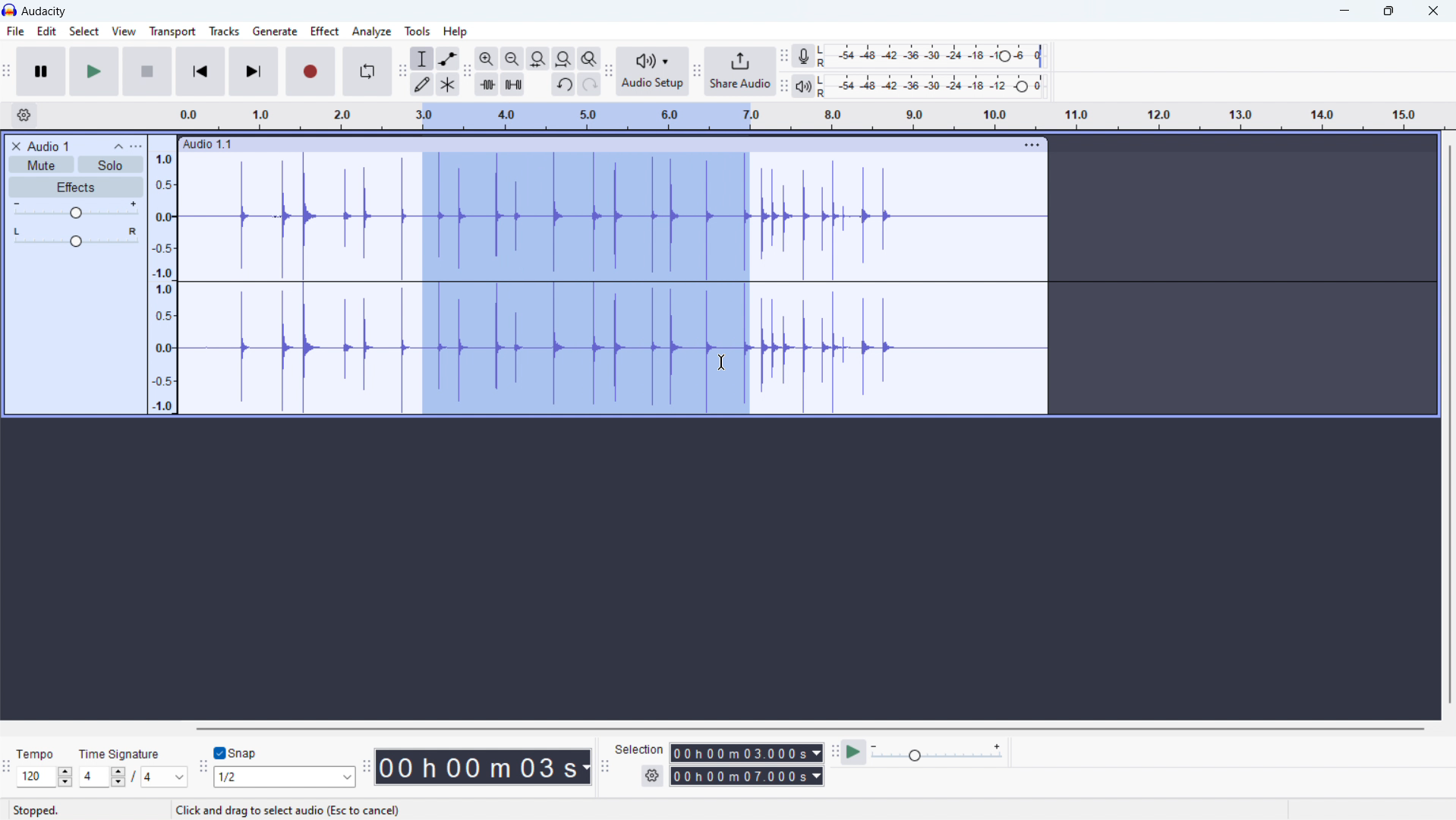 The width and height of the screenshot is (1456, 820). Describe the element at coordinates (590, 58) in the screenshot. I see `toggle zoom` at that location.